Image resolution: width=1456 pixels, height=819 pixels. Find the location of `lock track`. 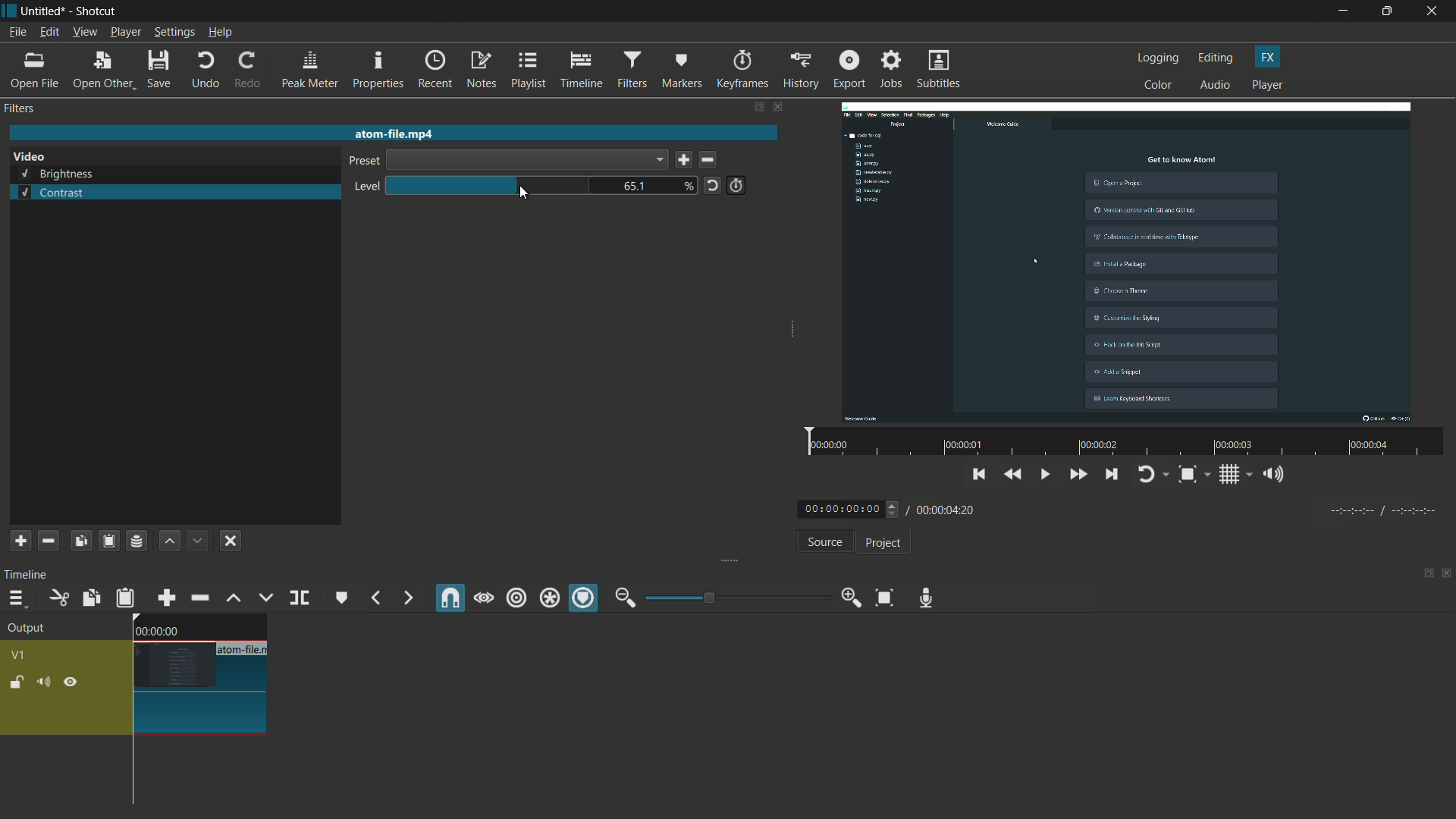

lock track is located at coordinates (19, 682).